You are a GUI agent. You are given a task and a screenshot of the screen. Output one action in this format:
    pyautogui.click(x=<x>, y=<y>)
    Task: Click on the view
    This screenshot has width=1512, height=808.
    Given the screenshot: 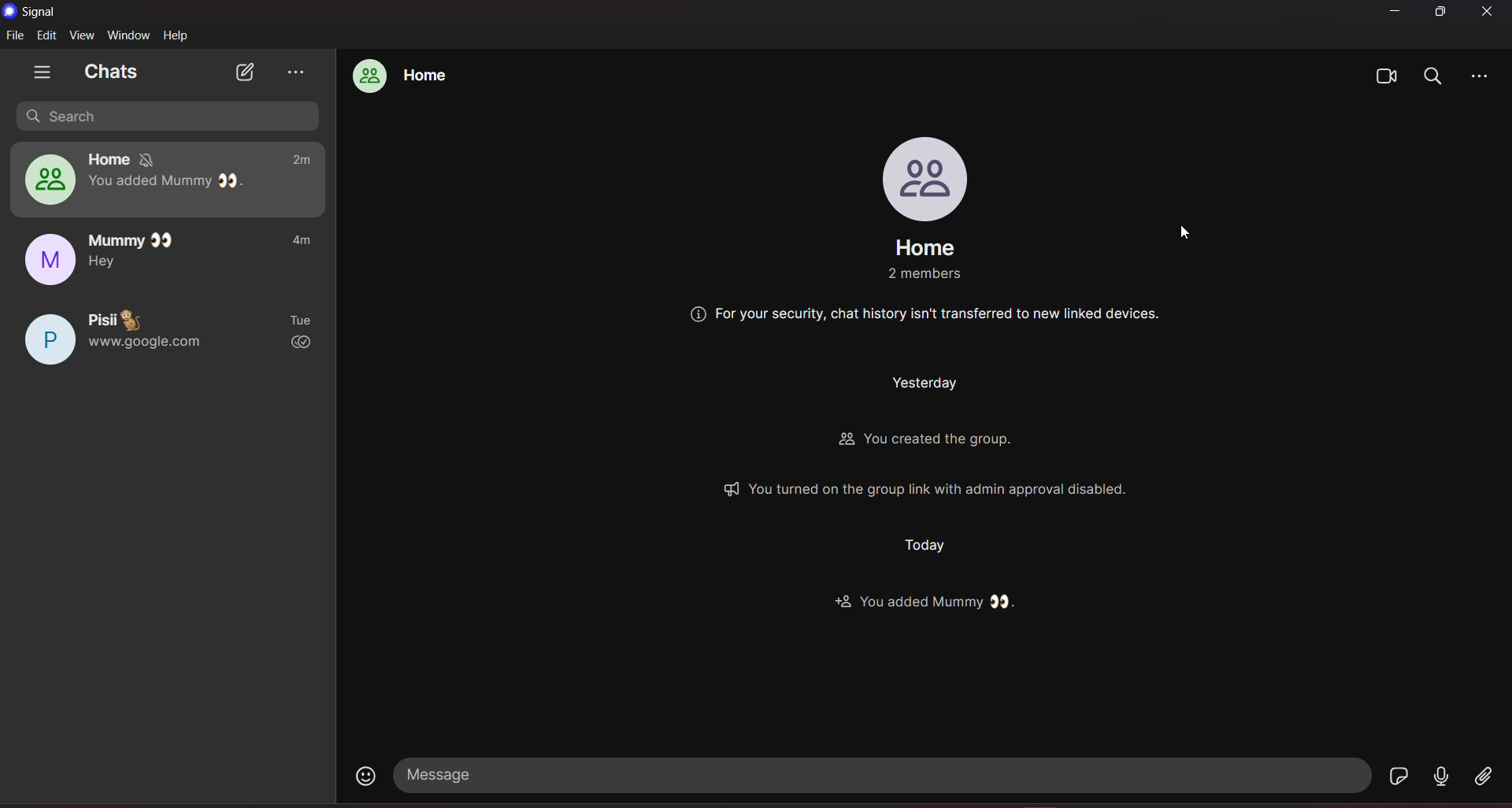 What is the action you would take?
    pyautogui.click(x=82, y=34)
    